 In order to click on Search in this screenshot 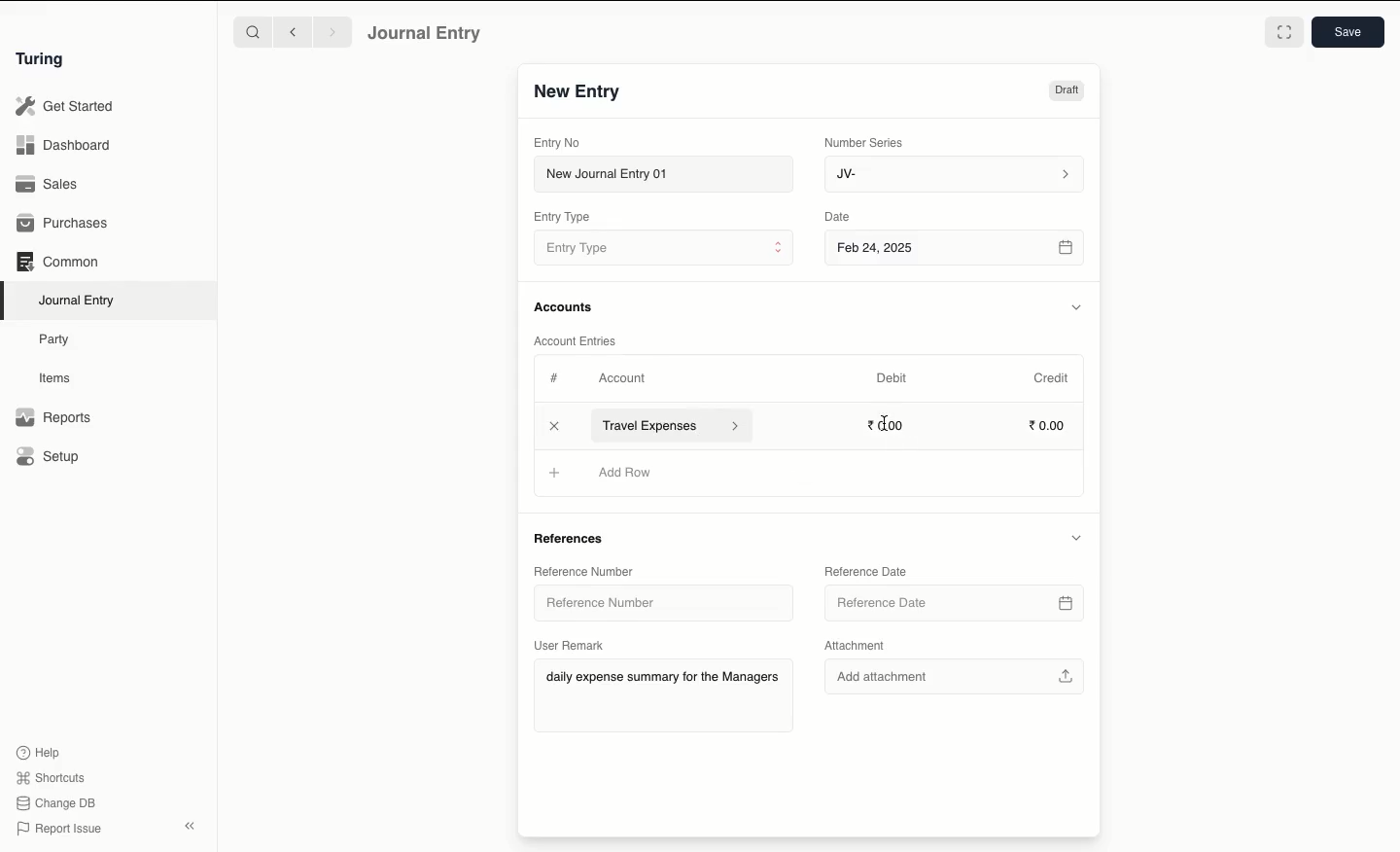, I will do `click(252, 31)`.